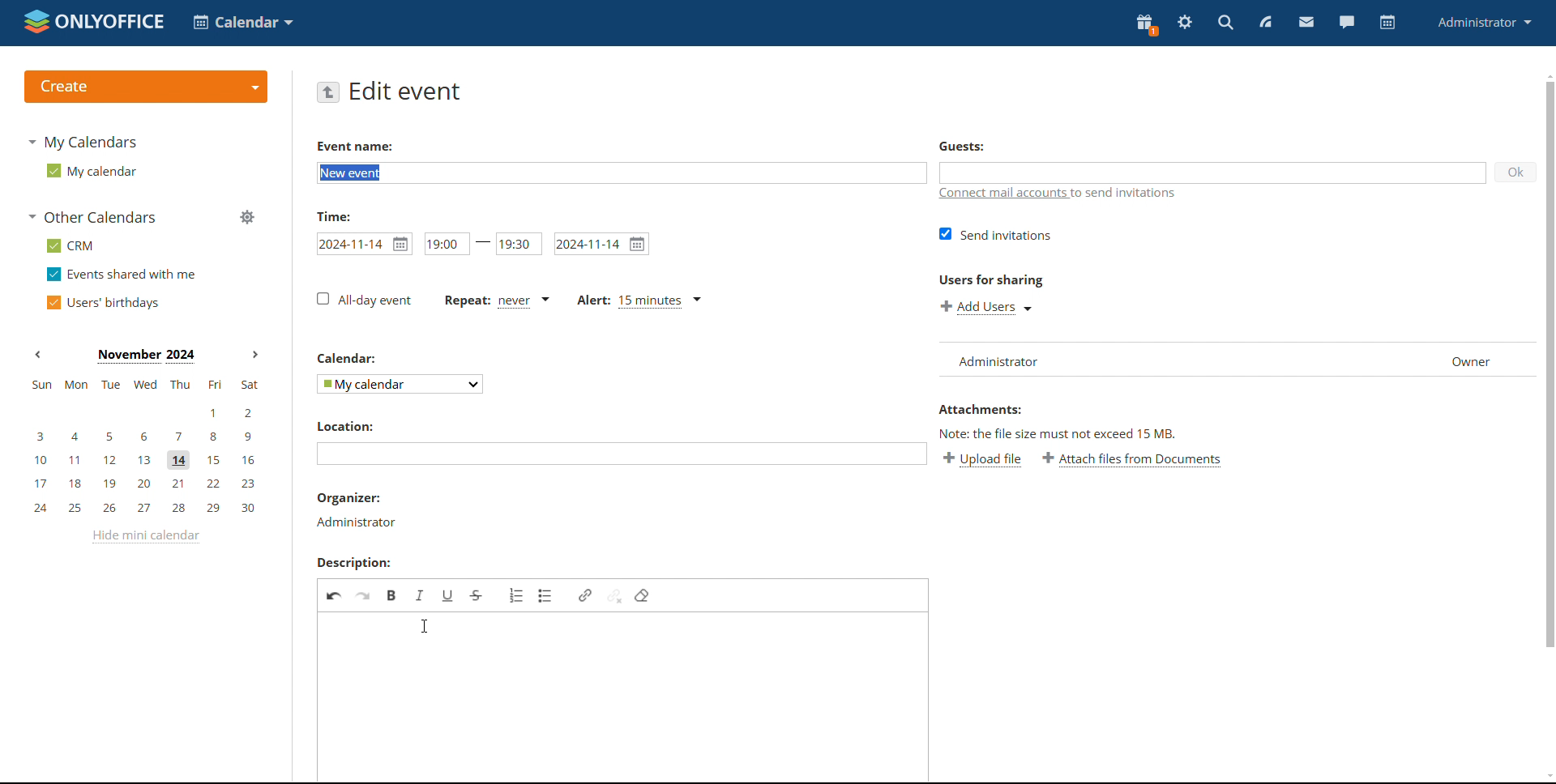 The image size is (1556, 784). Describe the element at coordinates (483, 242) in the screenshot. I see `-` at that location.